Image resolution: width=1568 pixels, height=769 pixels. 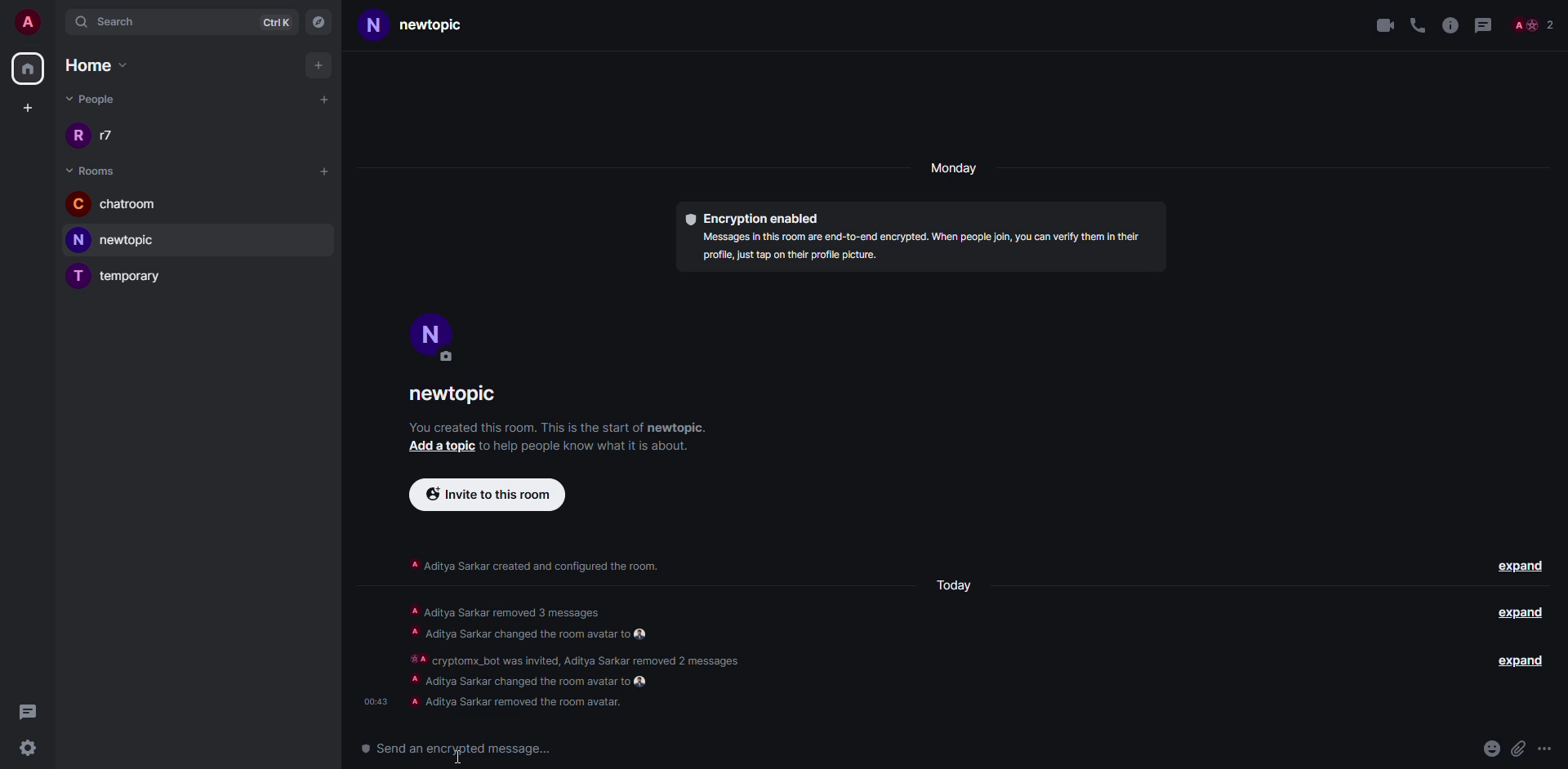 I want to click on expand, so click(x=1521, y=661).